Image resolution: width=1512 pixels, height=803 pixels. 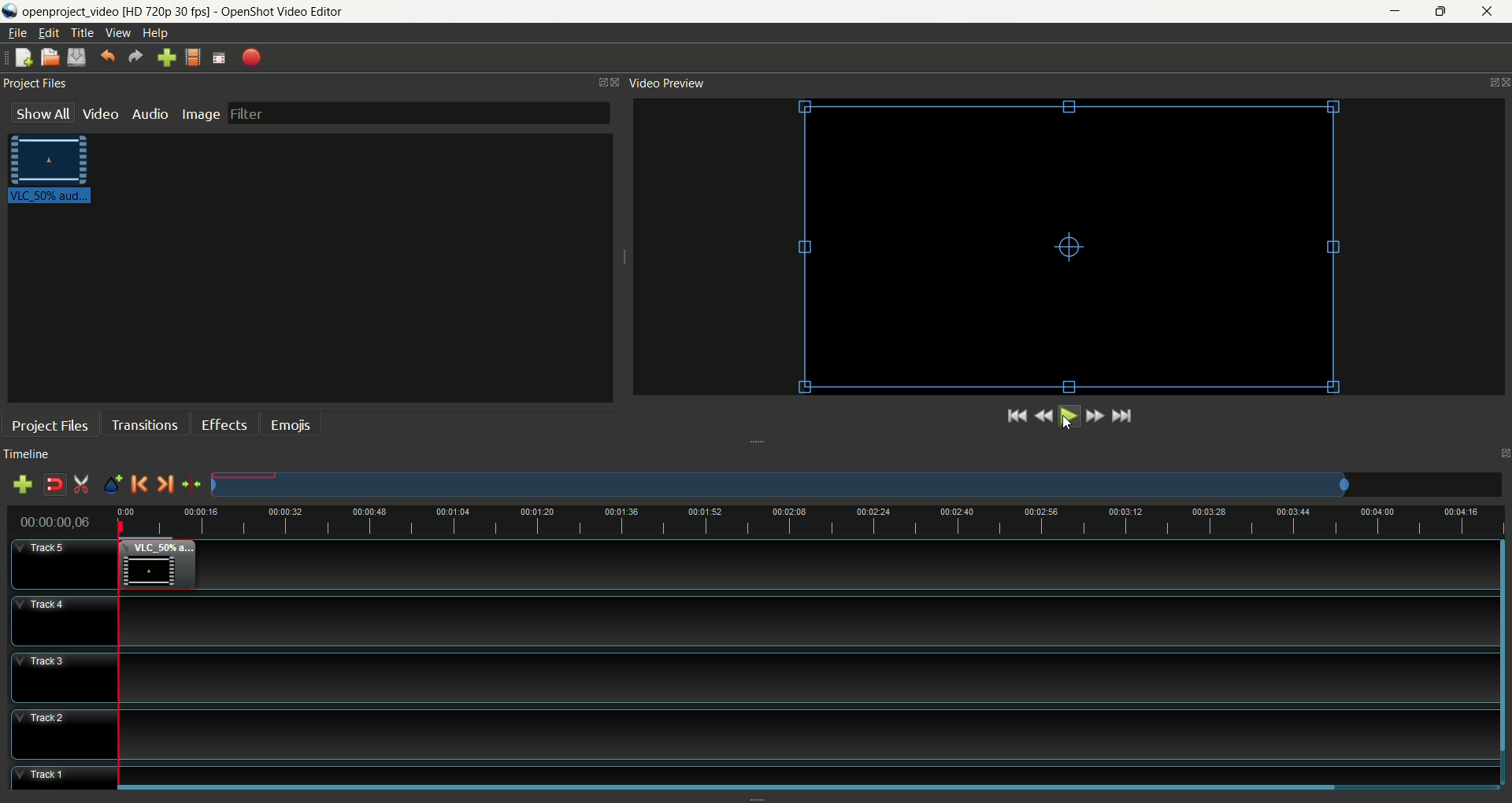 What do you see at coordinates (26, 485) in the screenshot?
I see `add track` at bounding box center [26, 485].